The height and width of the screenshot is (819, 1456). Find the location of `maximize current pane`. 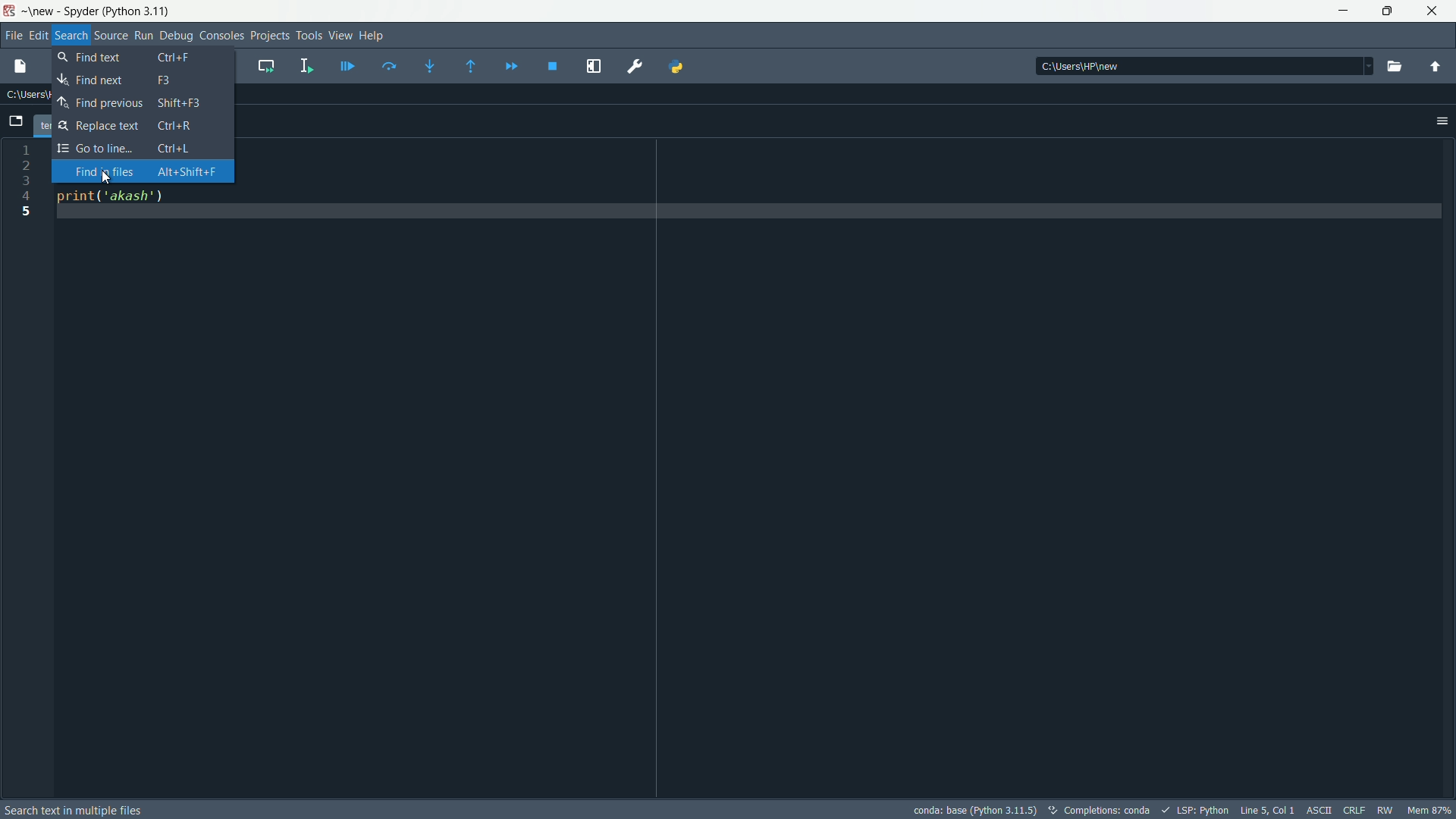

maximize current pane is located at coordinates (595, 67).